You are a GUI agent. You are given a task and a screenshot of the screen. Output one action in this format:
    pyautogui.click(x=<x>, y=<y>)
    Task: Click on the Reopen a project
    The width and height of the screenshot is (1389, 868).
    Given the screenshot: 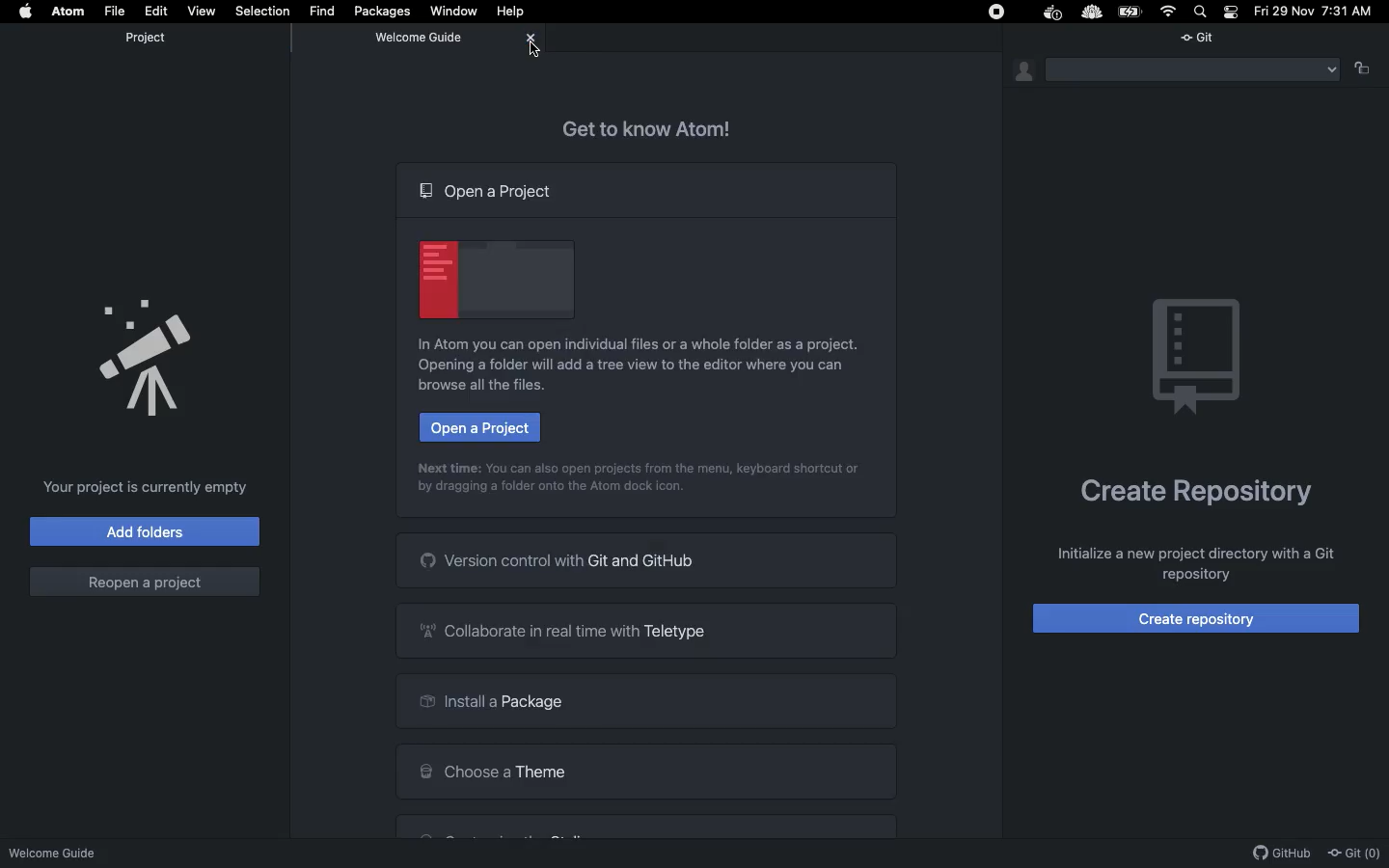 What is the action you would take?
    pyautogui.click(x=146, y=584)
    